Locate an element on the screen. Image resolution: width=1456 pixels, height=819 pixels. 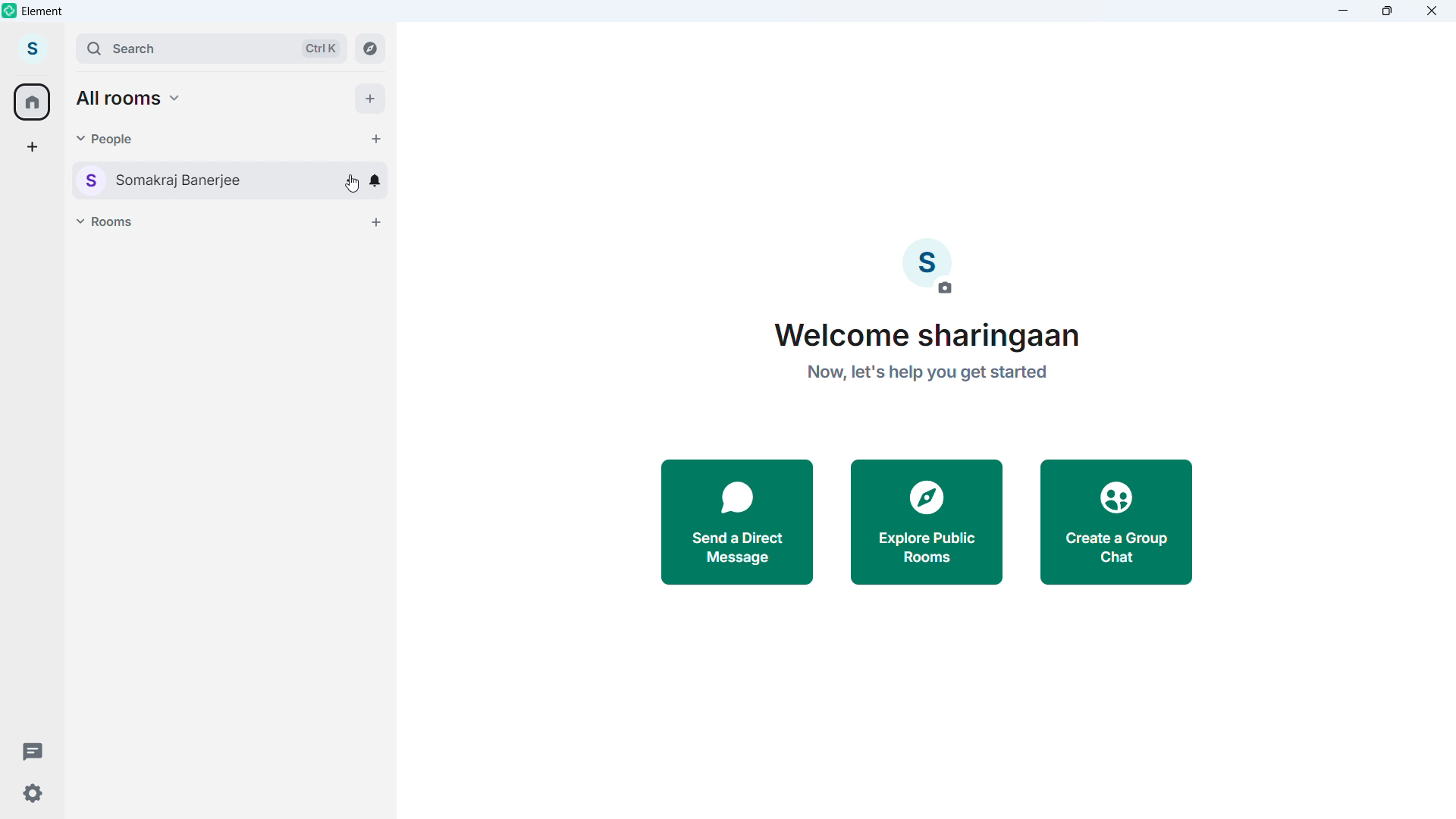
people  is located at coordinates (105, 138).